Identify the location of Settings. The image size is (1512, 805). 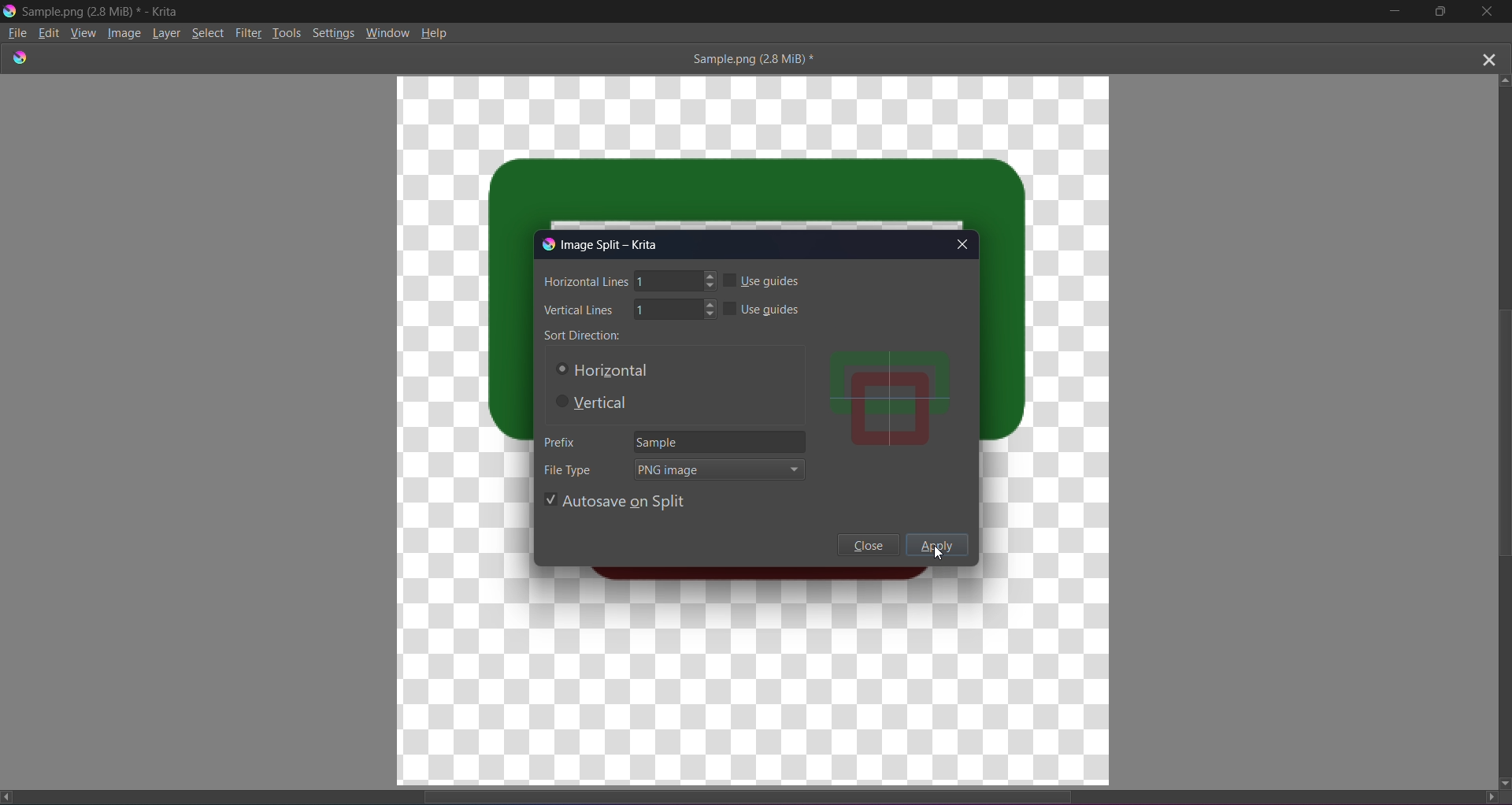
(334, 32).